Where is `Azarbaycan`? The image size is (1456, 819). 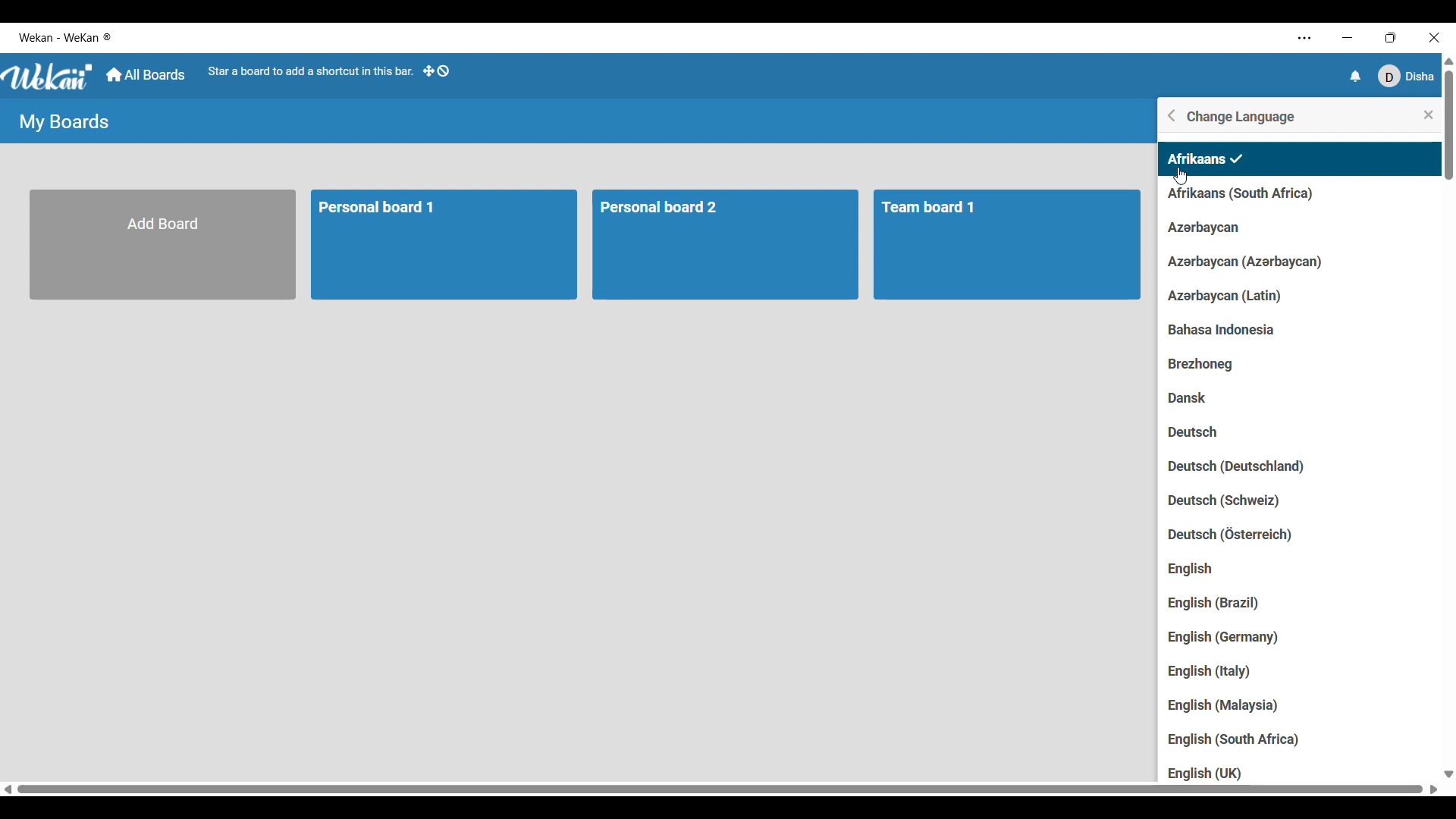
Azarbaycan is located at coordinates (1200, 228).